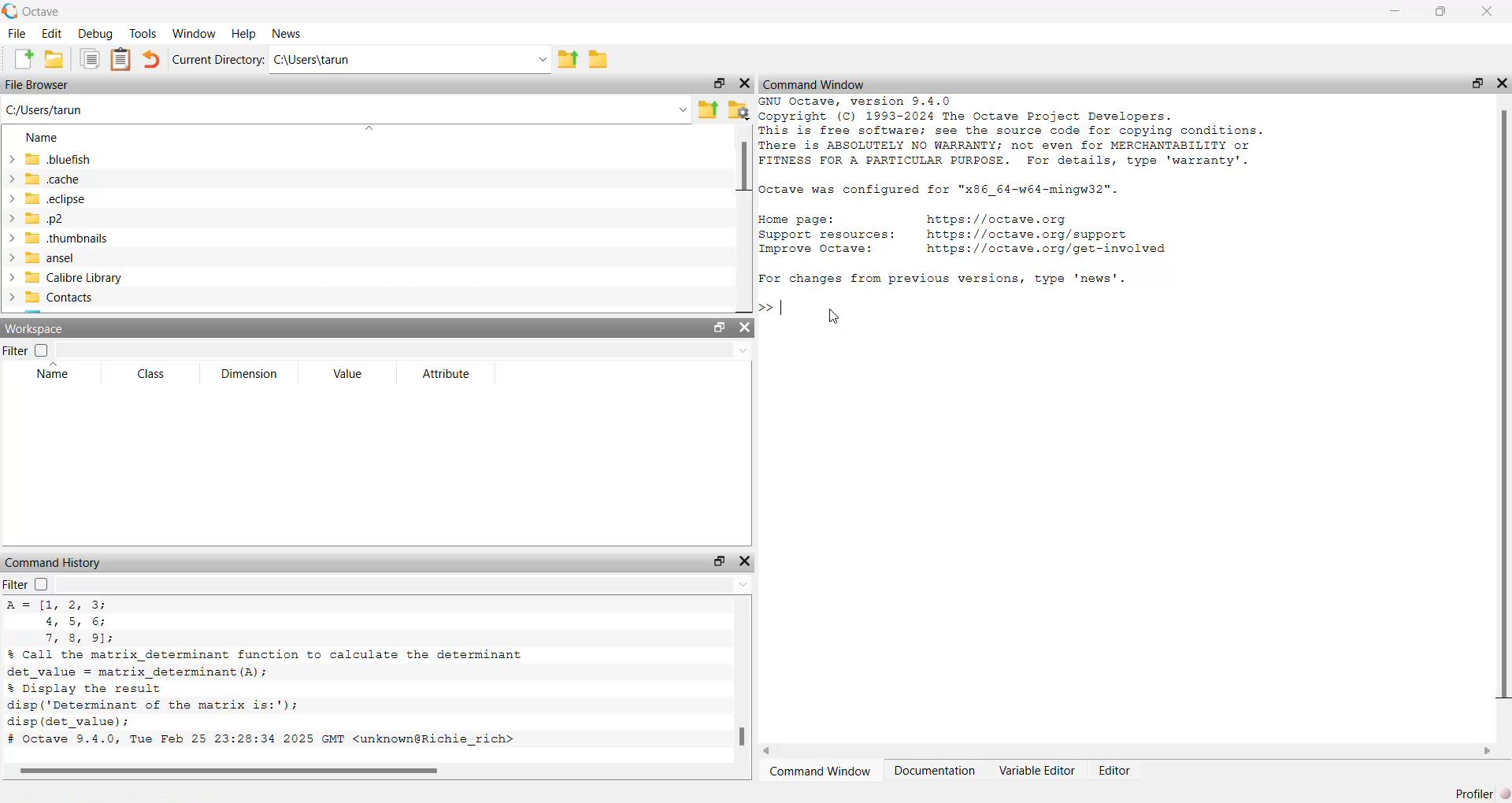 This screenshot has width=1512, height=803. What do you see at coordinates (39, 219) in the screenshot?
I see `.p2` at bounding box center [39, 219].